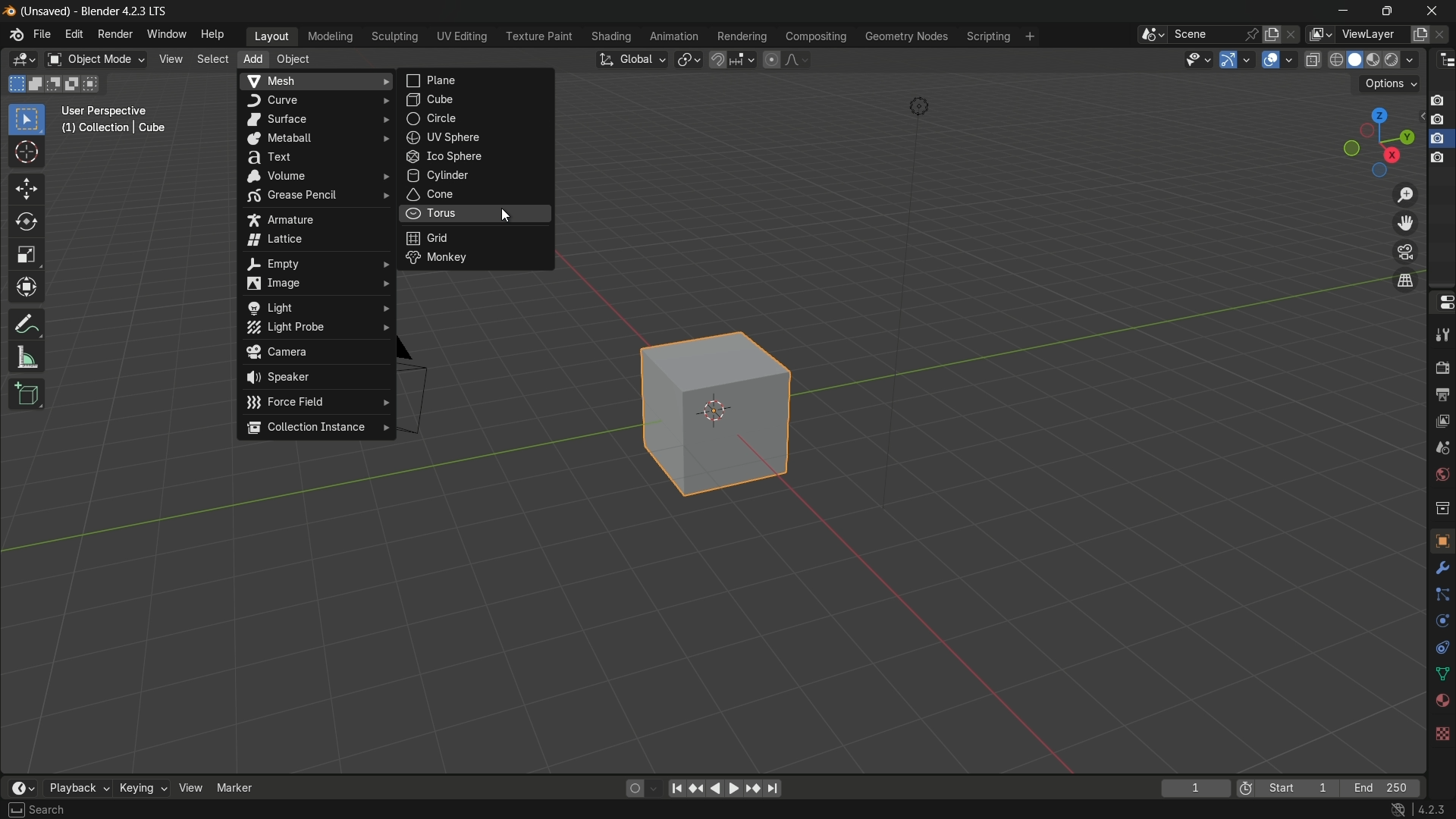  Describe the element at coordinates (141, 787) in the screenshot. I see `keying` at that location.